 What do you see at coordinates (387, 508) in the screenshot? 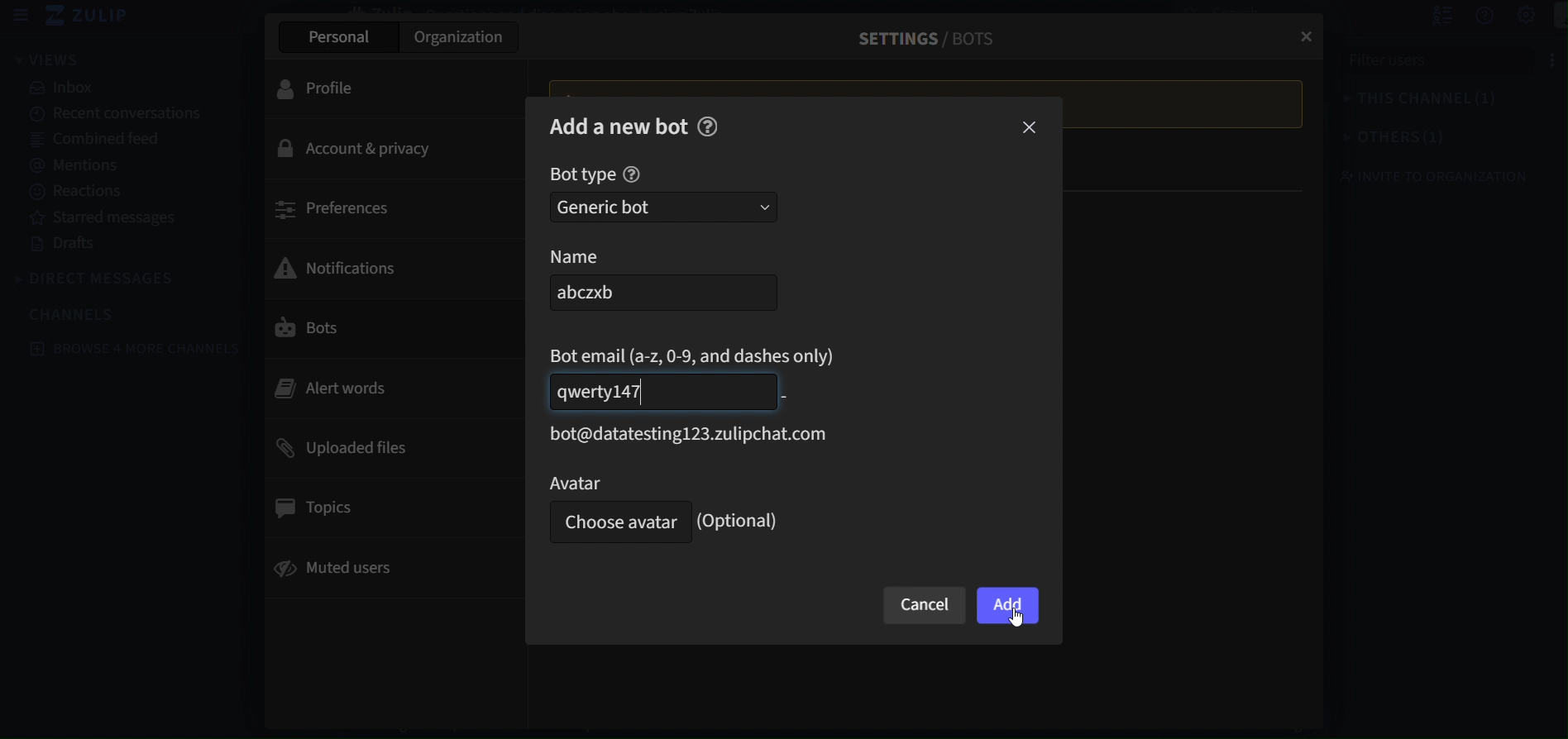
I see `topics` at bounding box center [387, 508].